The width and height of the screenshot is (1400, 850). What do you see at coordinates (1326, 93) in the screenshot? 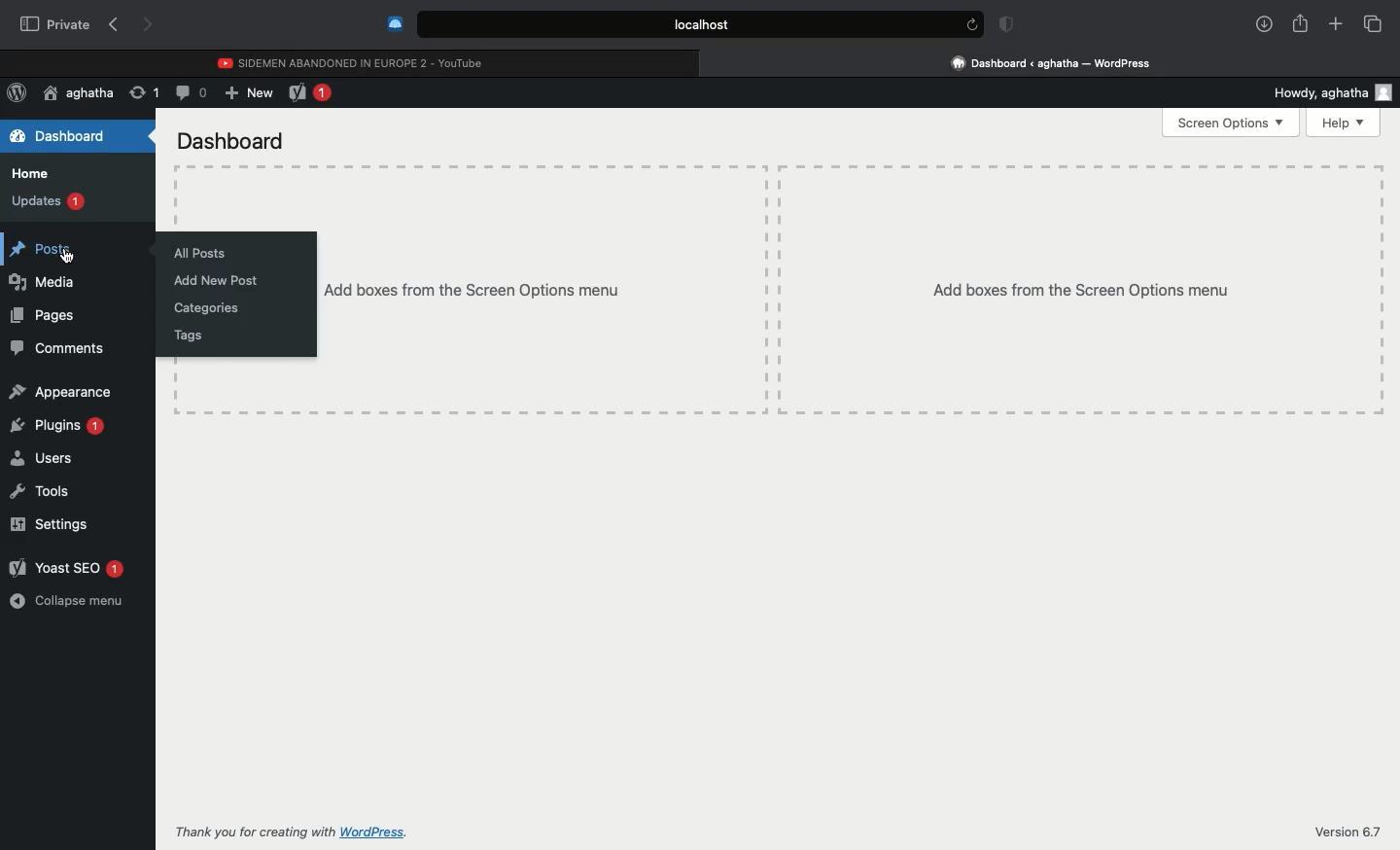
I see `Howdy user` at bounding box center [1326, 93].